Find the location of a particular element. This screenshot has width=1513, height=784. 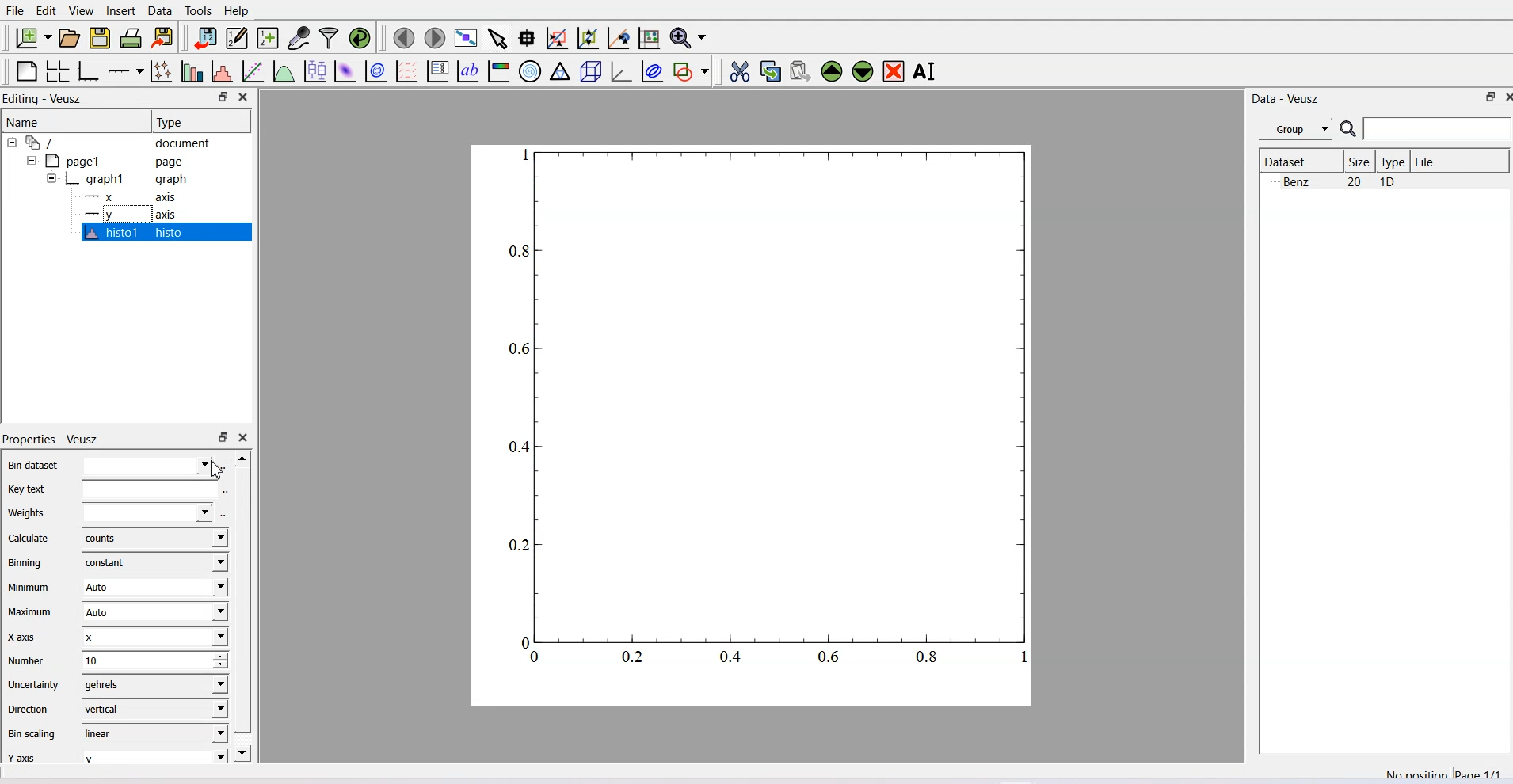

Plot a 2D dataset as Image is located at coordinates (345, 70).